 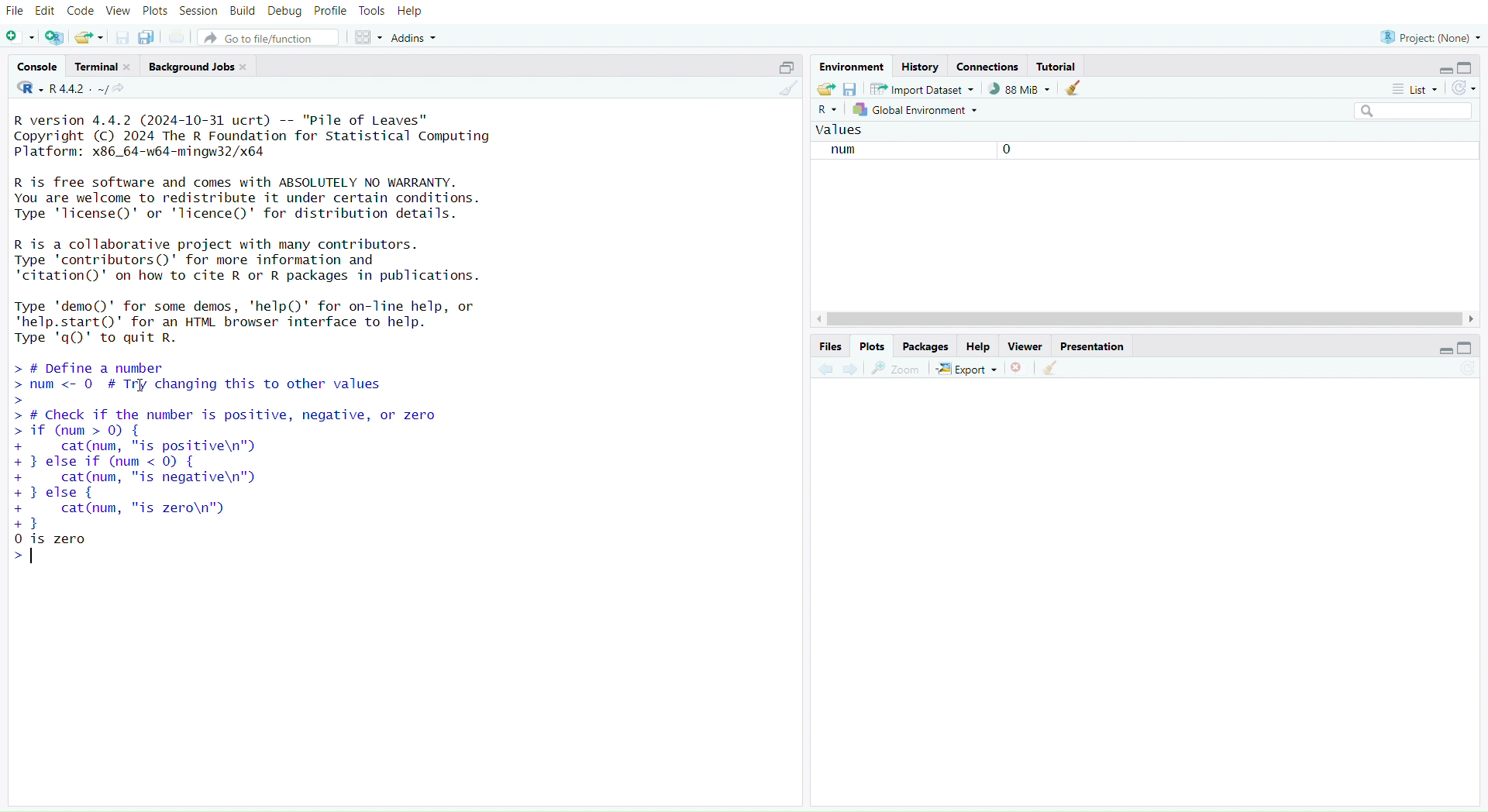 What do you see at coordinates (1469, 68) in the screenshot?
I see `collapse` at bounding box center [1469, 68].